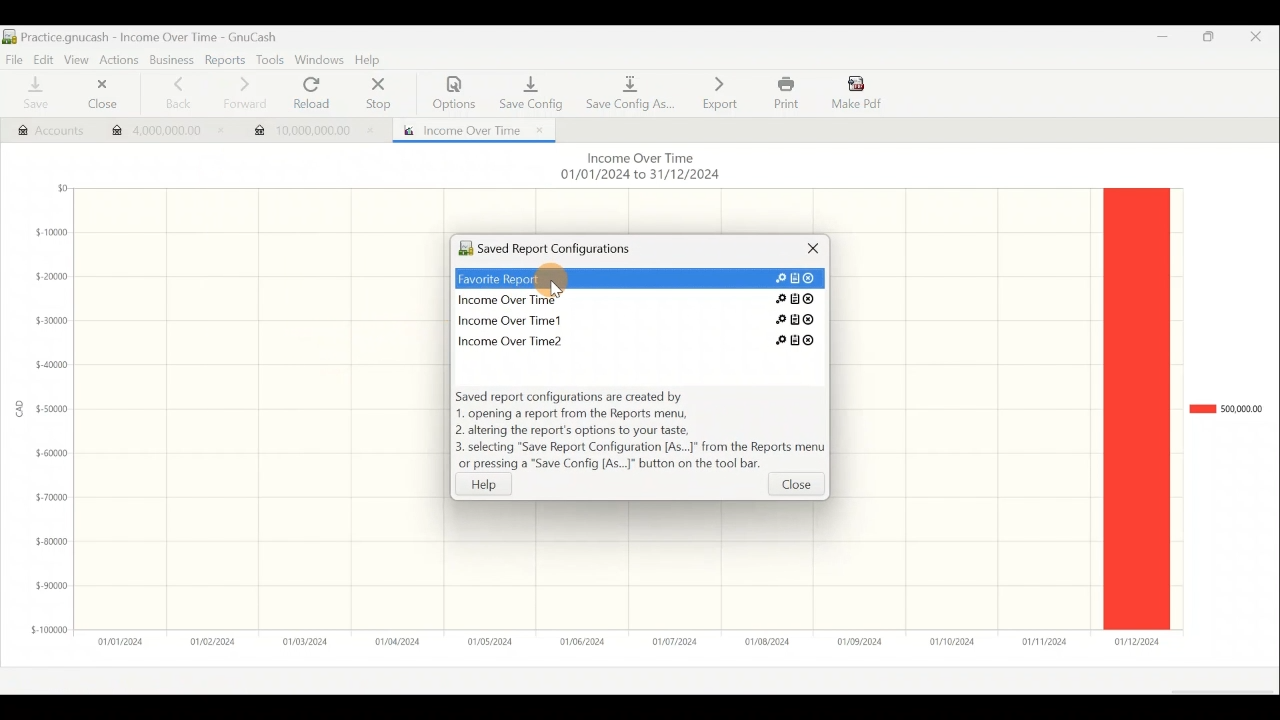  Describe the element at coordinates (376, 95) in the screenshot. I see `Stop` at that location.